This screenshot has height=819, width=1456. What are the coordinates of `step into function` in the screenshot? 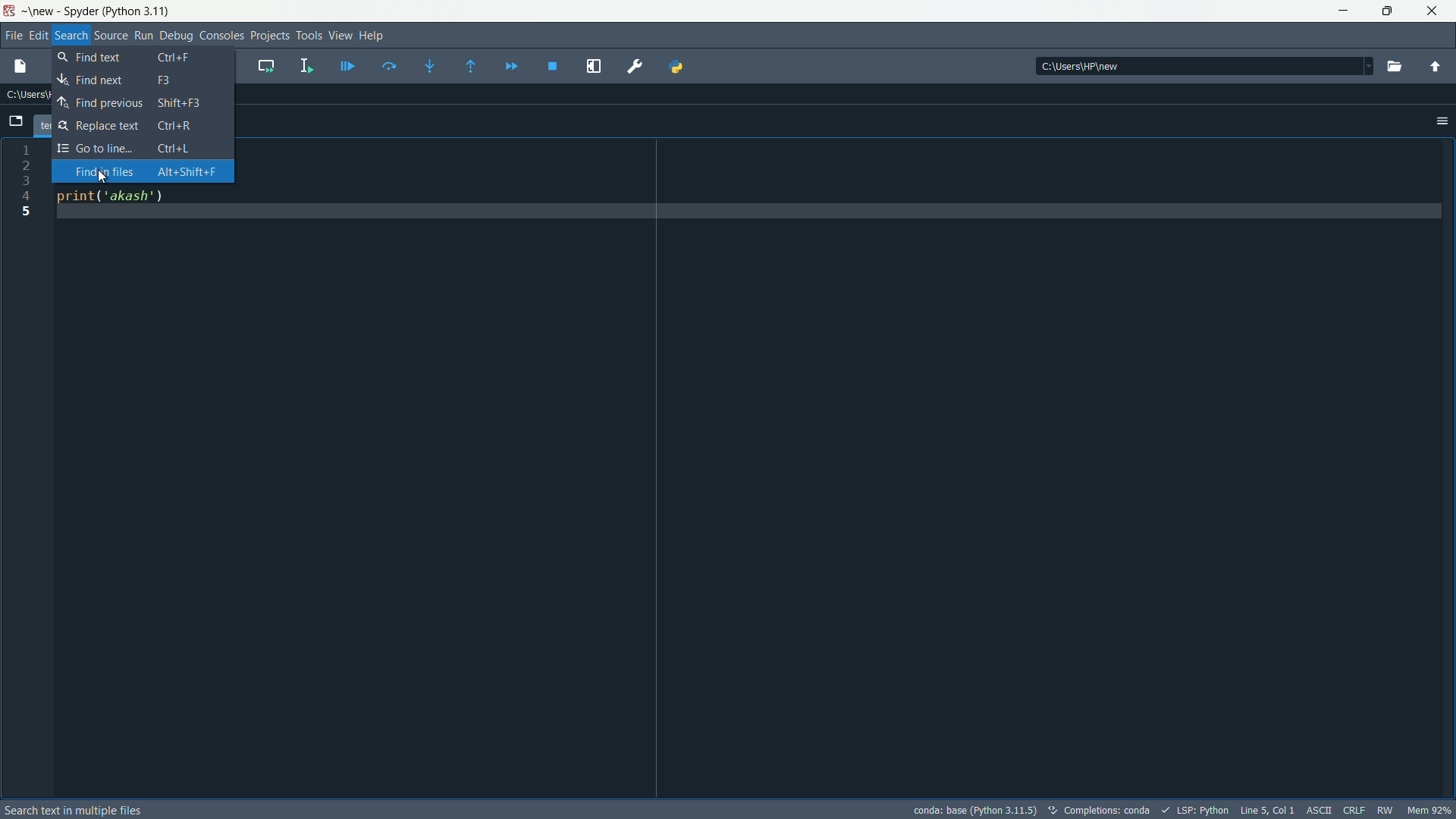 It's located at (429, 66).